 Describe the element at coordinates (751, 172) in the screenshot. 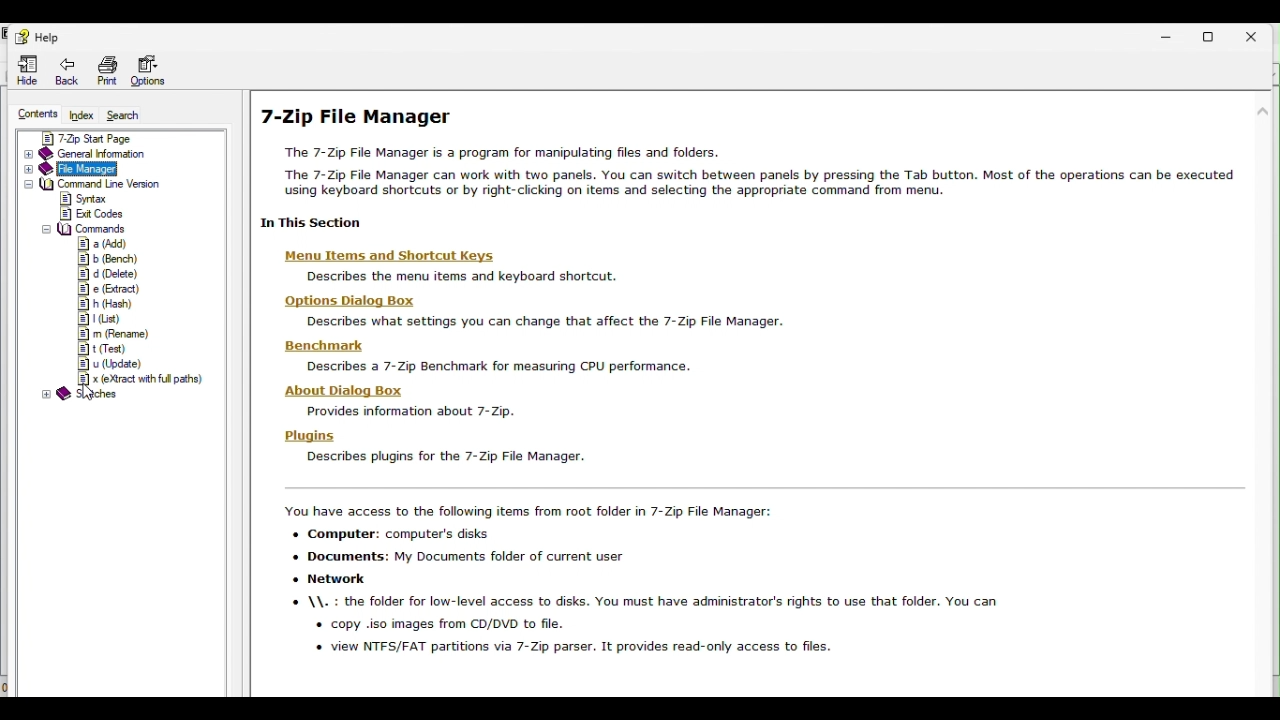

I see `text` at that location.